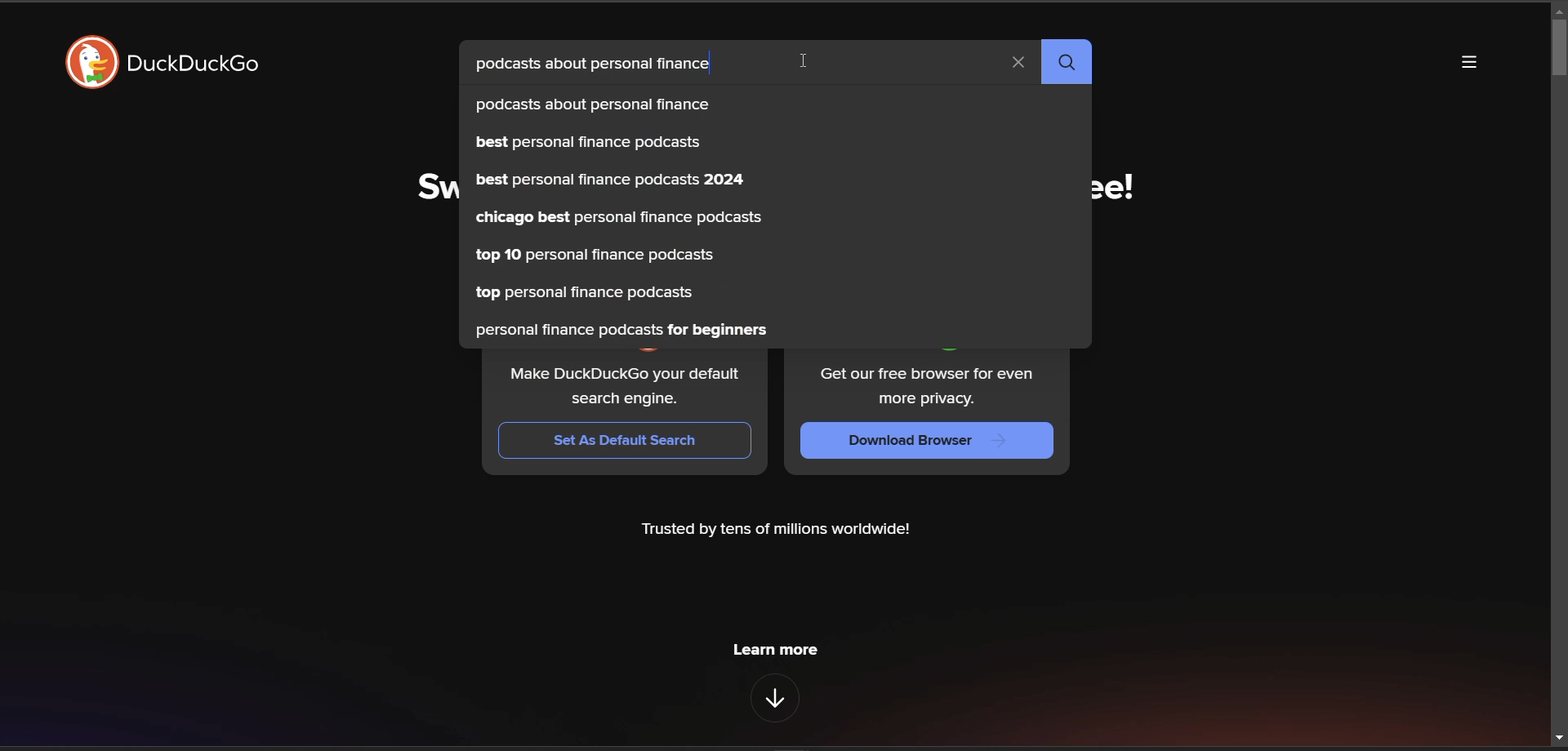  What do you see at coordinates (590, 143) in the screenshot?
I see `best personal finance podcasts` at bounding box center [590, 143].